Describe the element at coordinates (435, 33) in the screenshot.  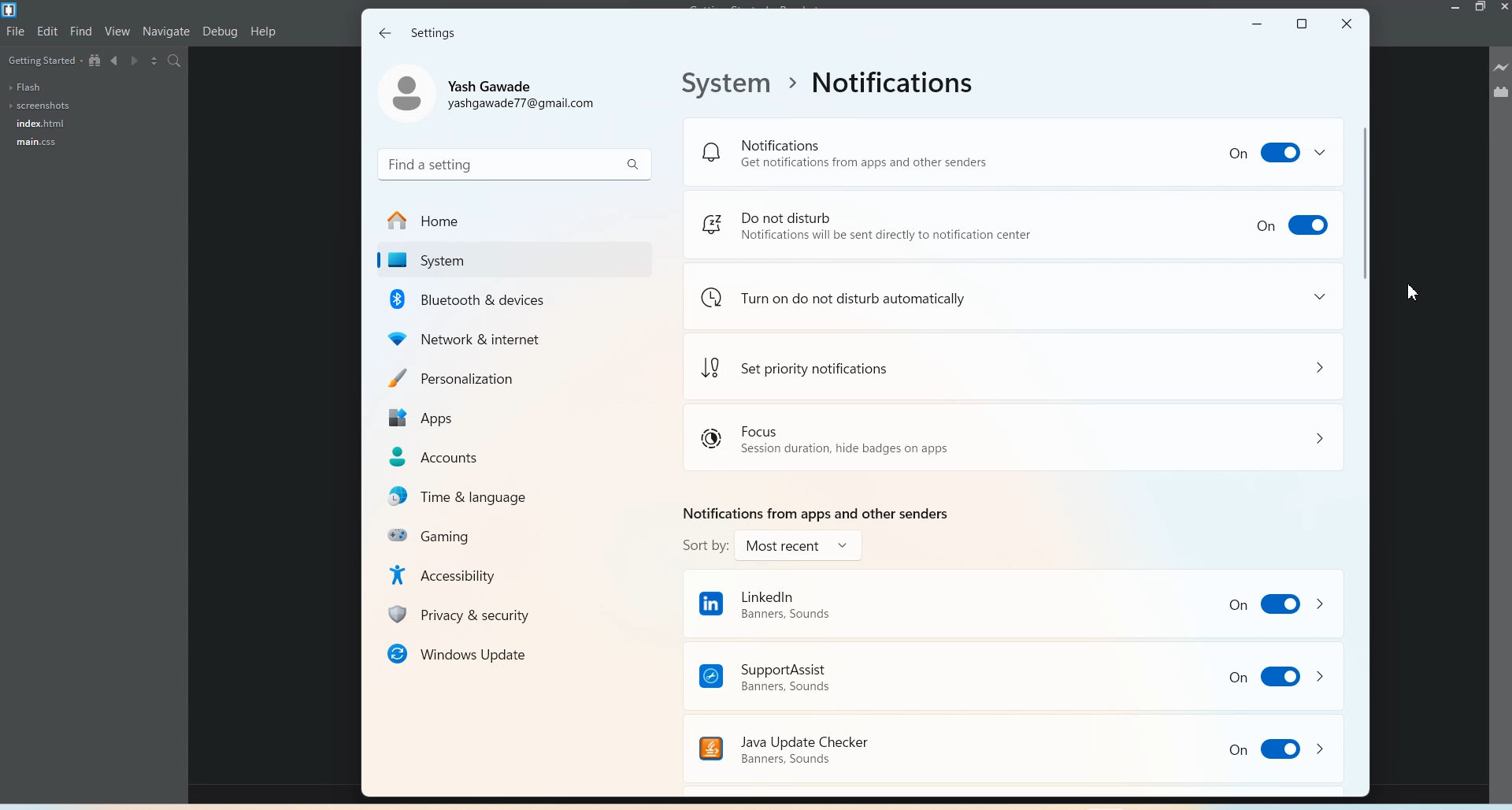
I see `Settings` at that location.